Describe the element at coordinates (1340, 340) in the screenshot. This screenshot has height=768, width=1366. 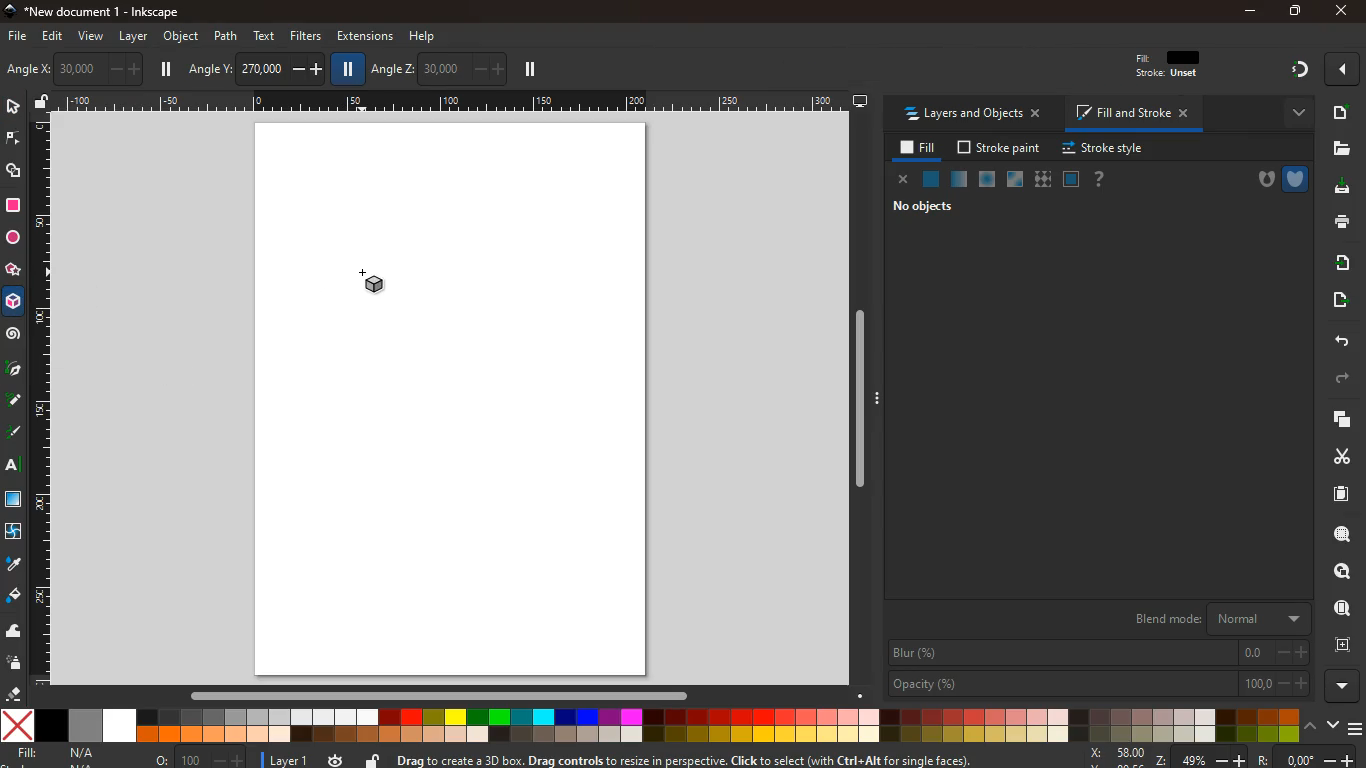
I see `back` at that location.